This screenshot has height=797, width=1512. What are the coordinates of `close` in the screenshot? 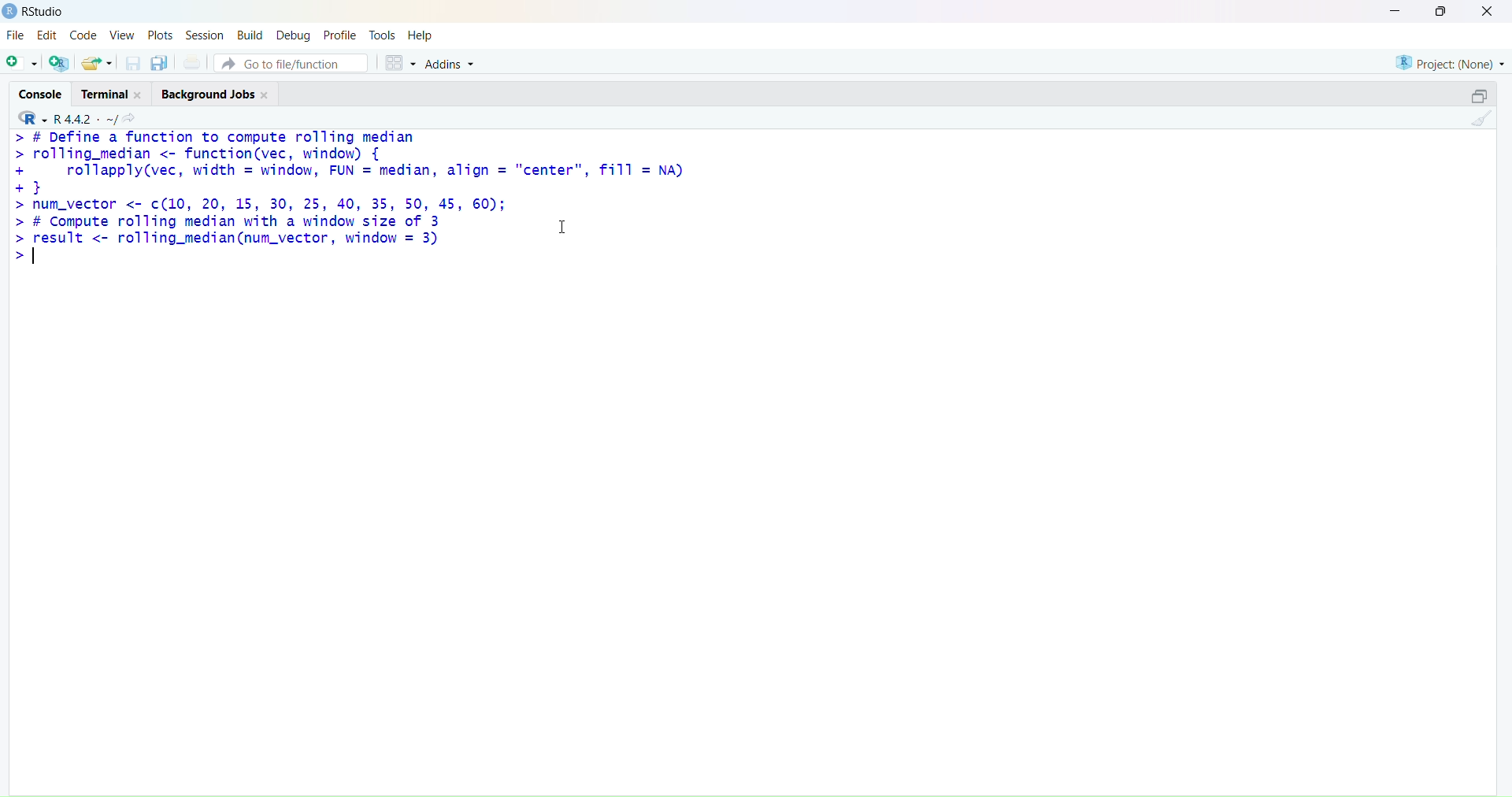 It's located at (265, 96).